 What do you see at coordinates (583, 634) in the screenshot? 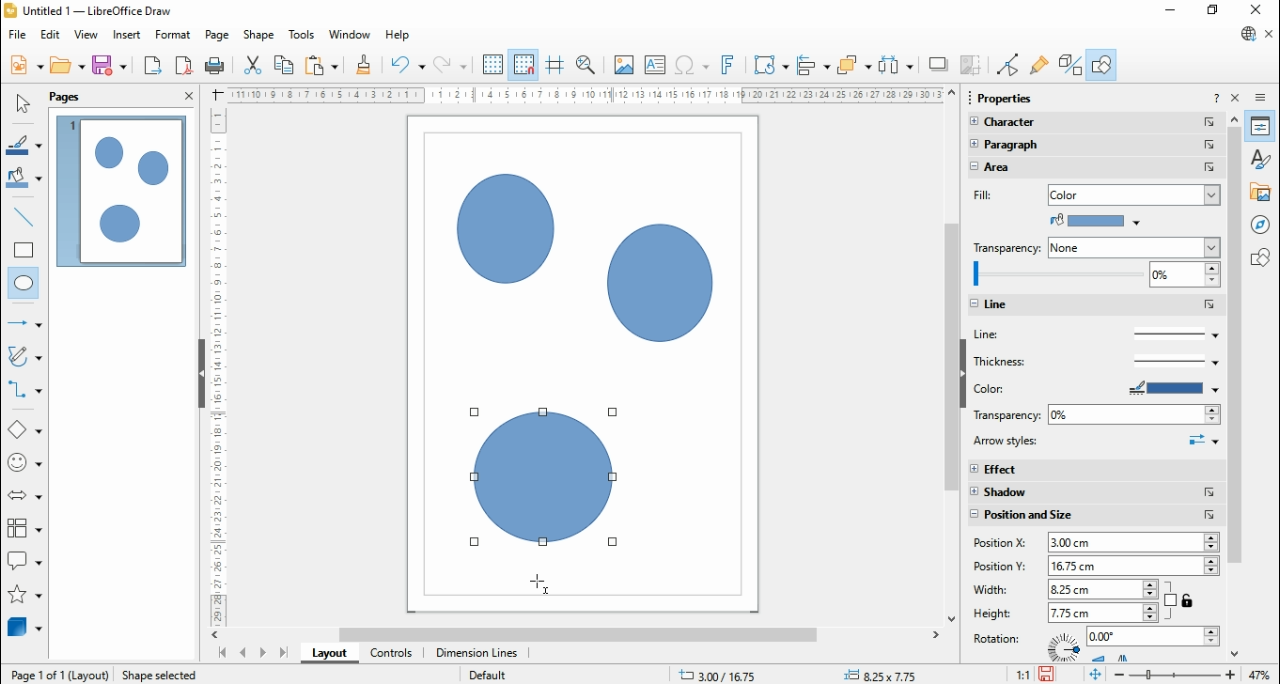
I see `scroll bar` at bounding box center [583, 634].